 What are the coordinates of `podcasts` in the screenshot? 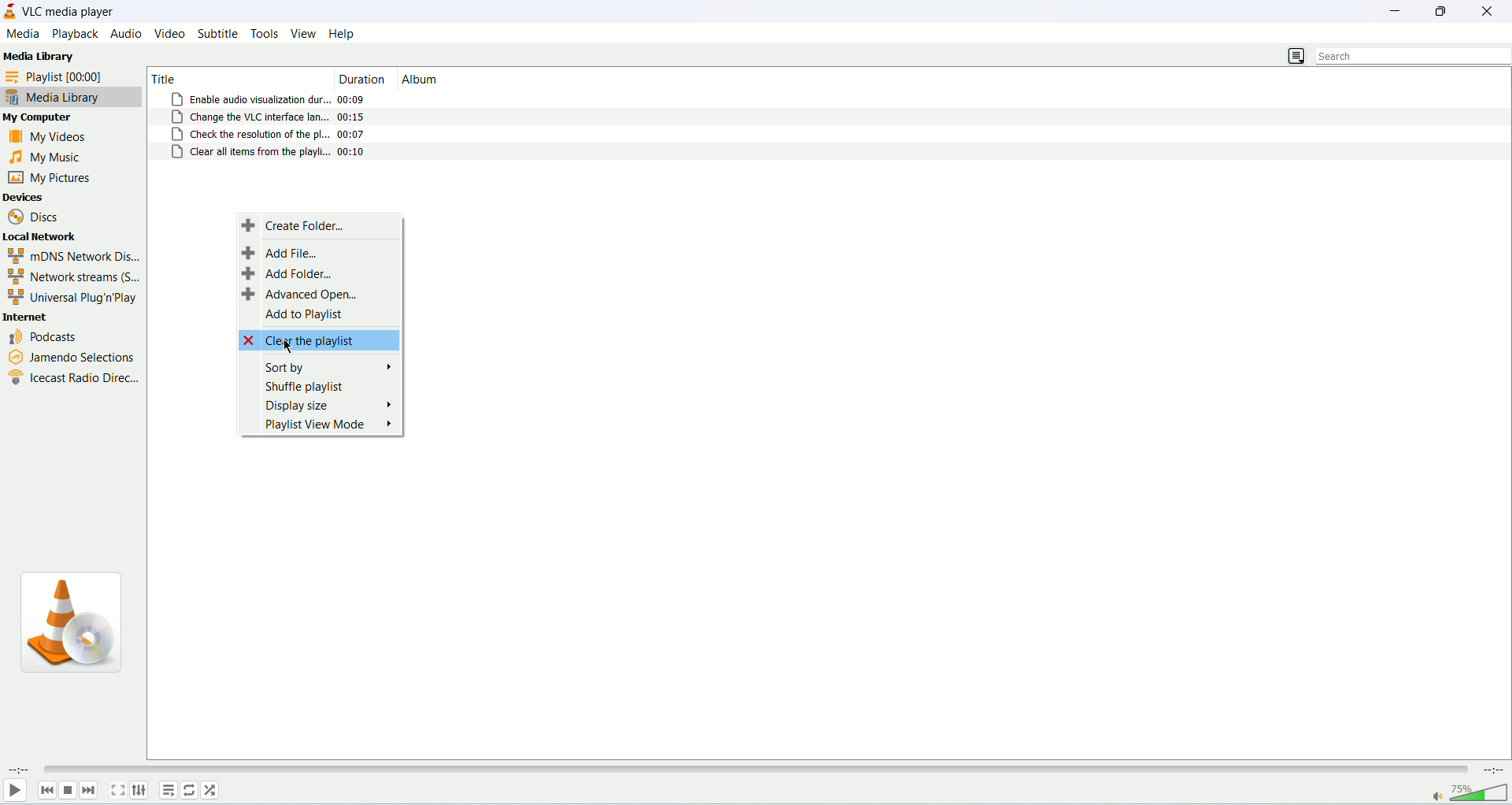 It's located at (46, 338).